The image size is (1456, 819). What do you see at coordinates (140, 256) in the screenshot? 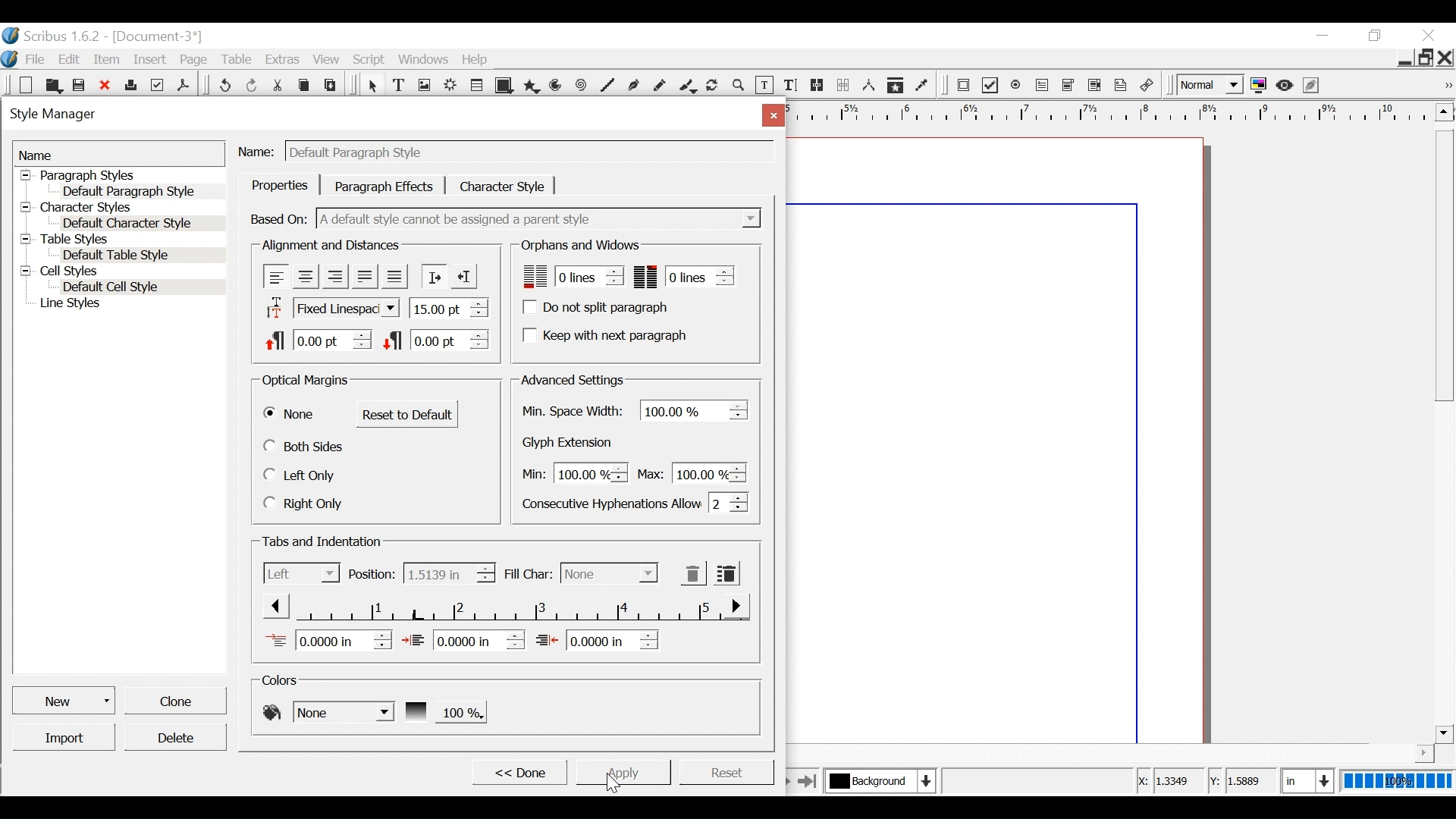
I see `Default Table Styles` at bounding box center [140, 256].